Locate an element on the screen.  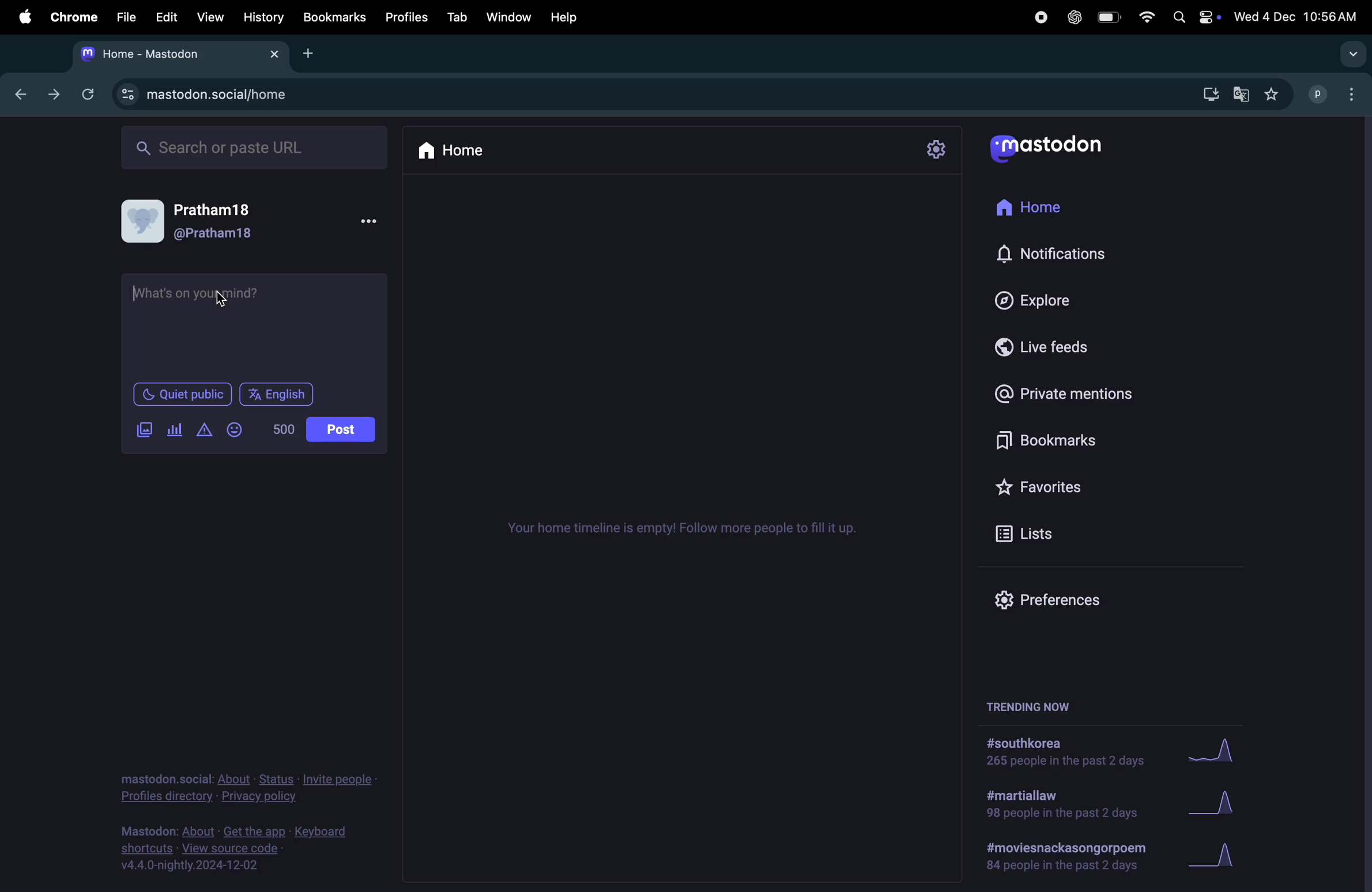
alerts is located at coordinates (203, 433).